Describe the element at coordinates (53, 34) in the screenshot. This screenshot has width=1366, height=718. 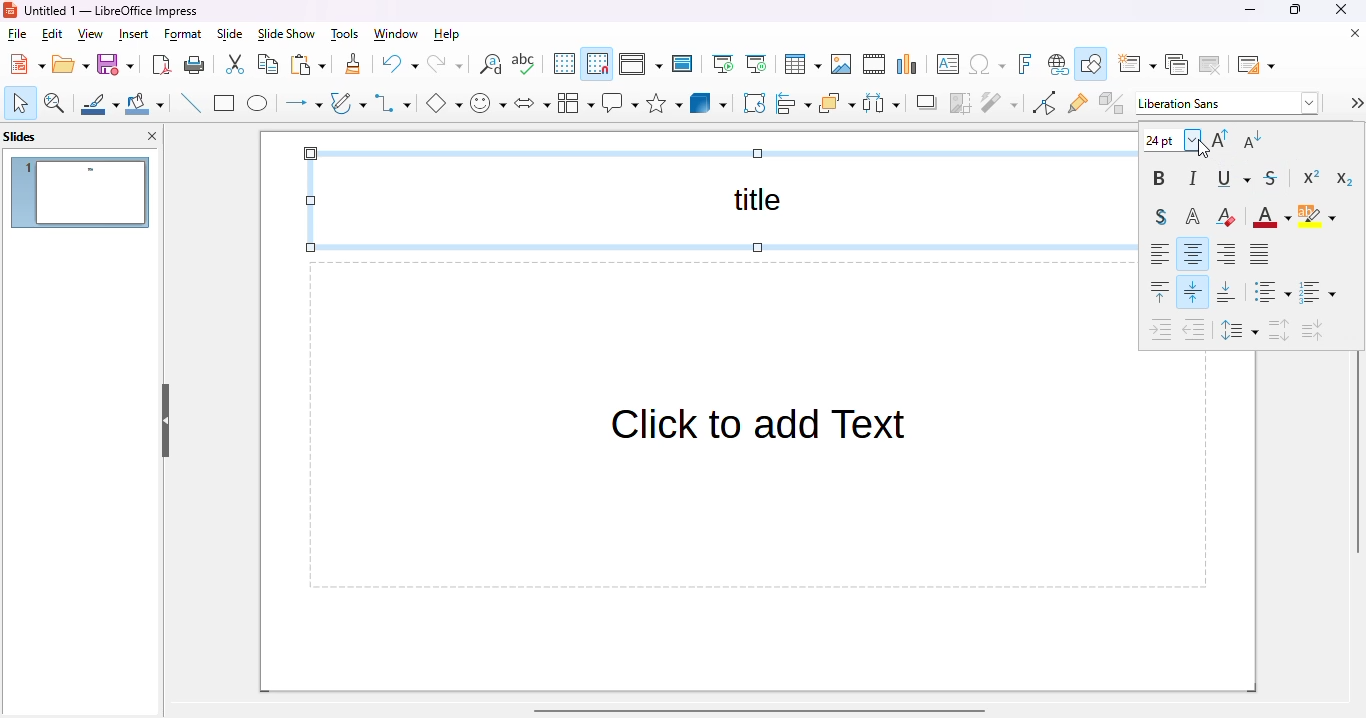
I see `edit` at that location.